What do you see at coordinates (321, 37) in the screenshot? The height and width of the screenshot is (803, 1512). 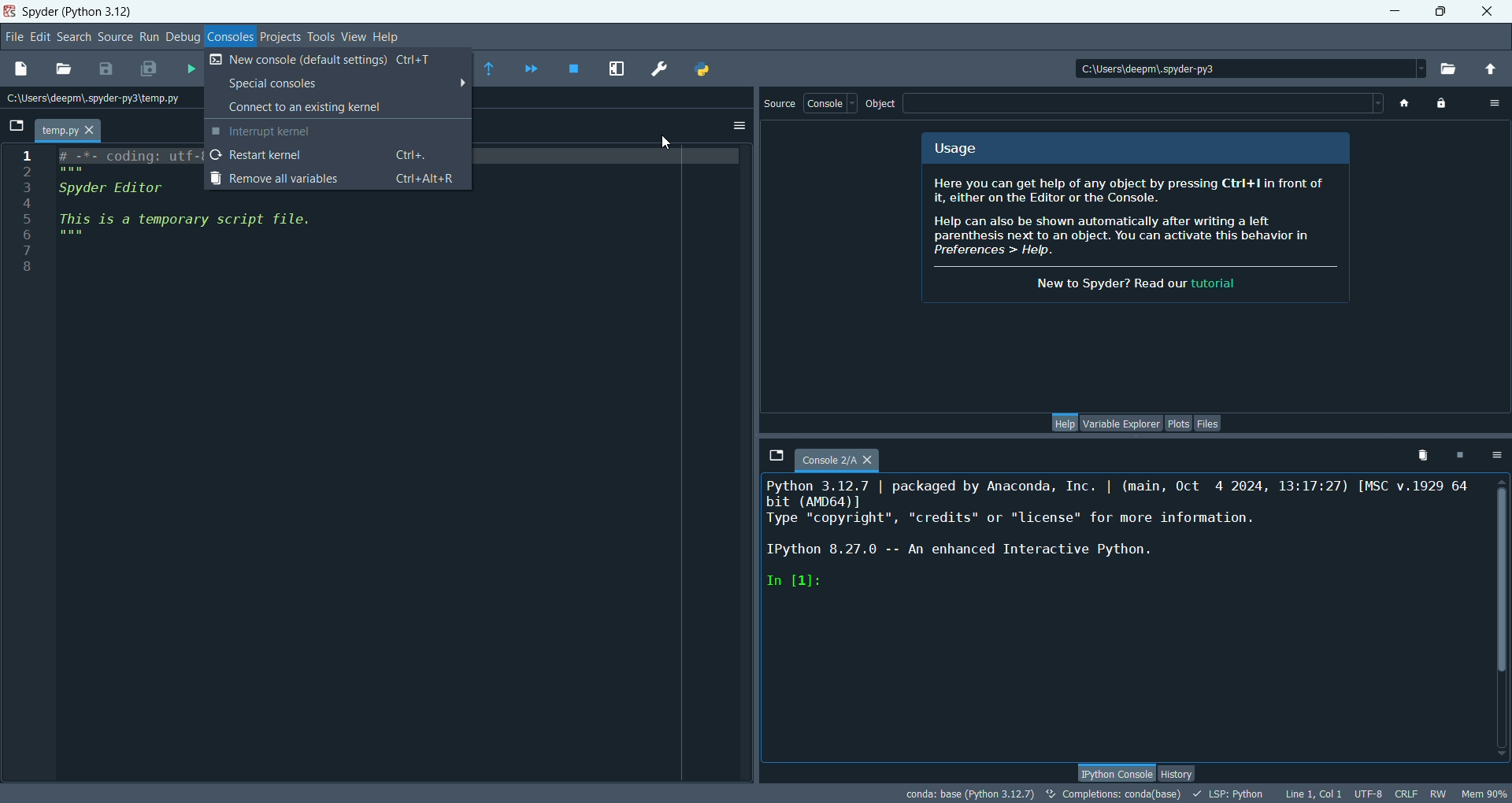 I see `tools` at bounding box center [321, 37].